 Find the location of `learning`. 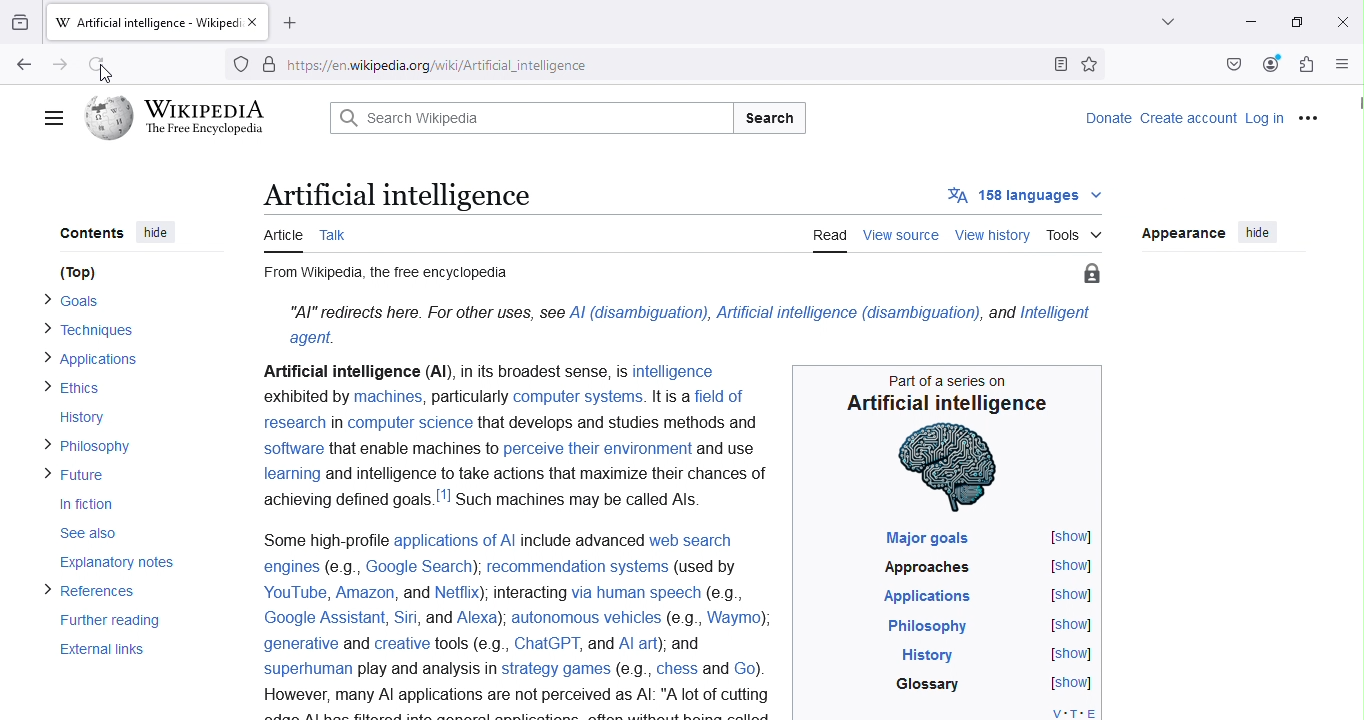

learning is located at coordinates (283, 476).